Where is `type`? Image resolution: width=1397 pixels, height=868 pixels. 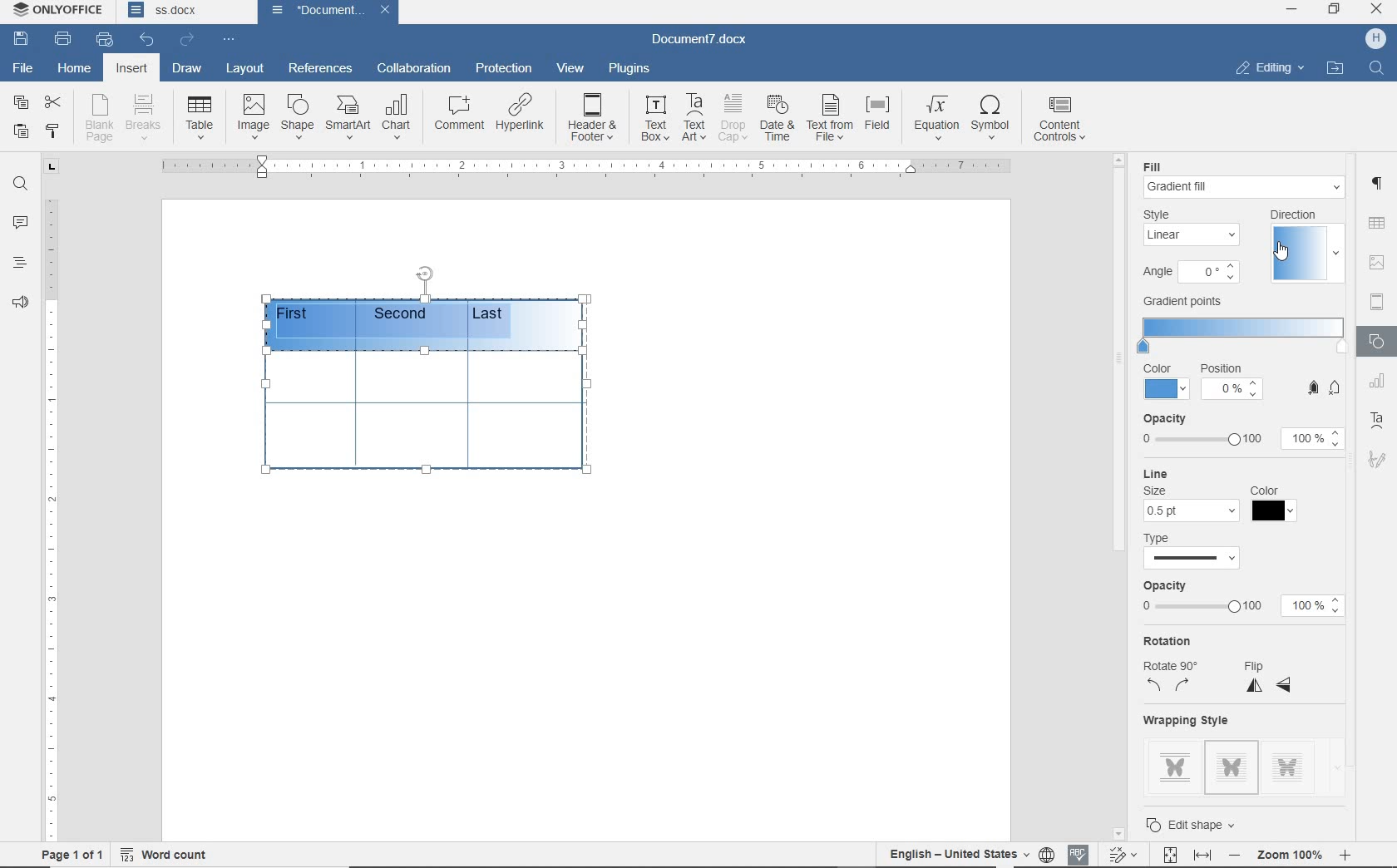
type is located at coordinates (1163, 538).